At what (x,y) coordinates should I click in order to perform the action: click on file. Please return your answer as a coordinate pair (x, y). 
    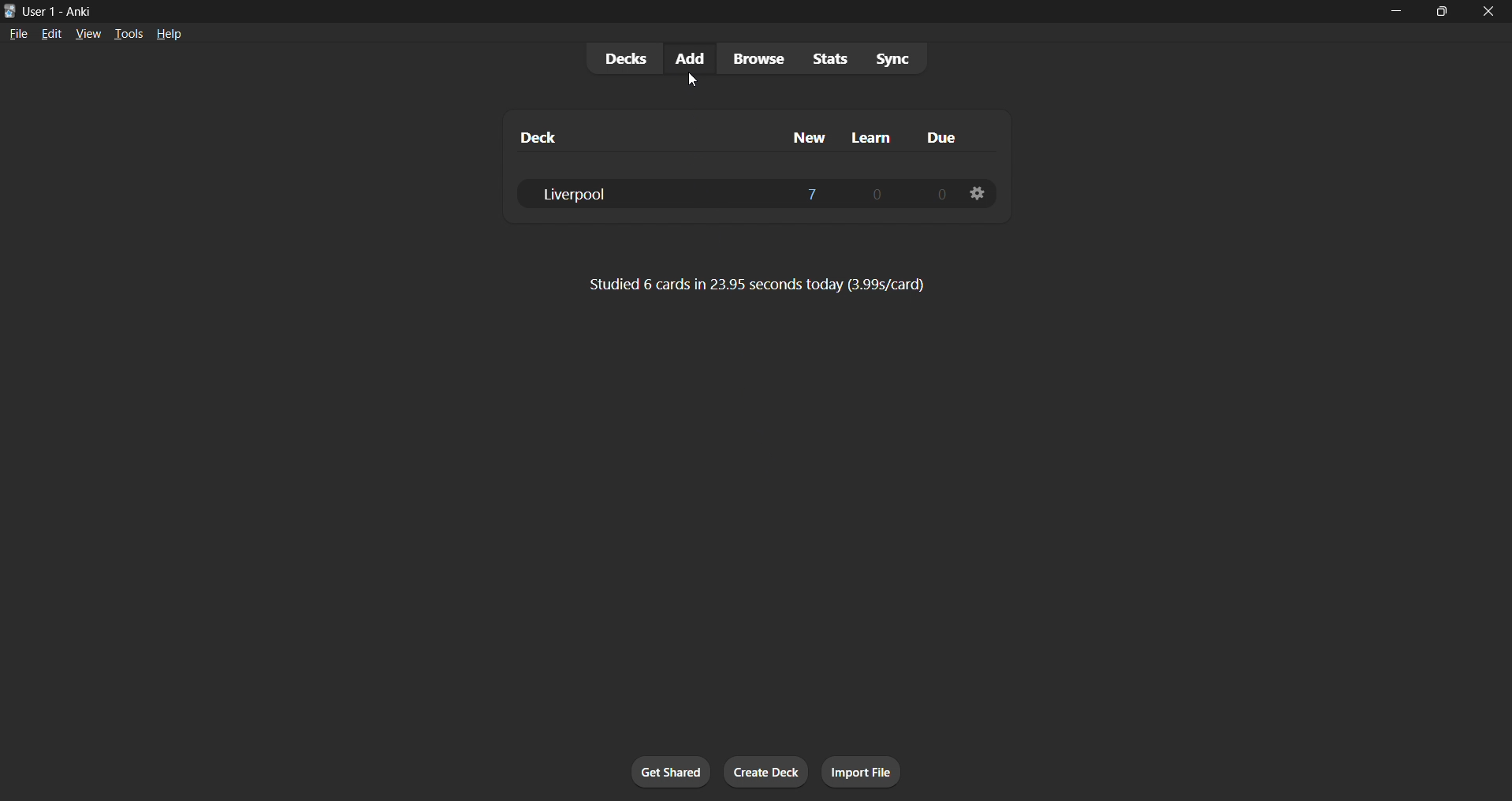
    Looking at the image, I should click on (15, 33).